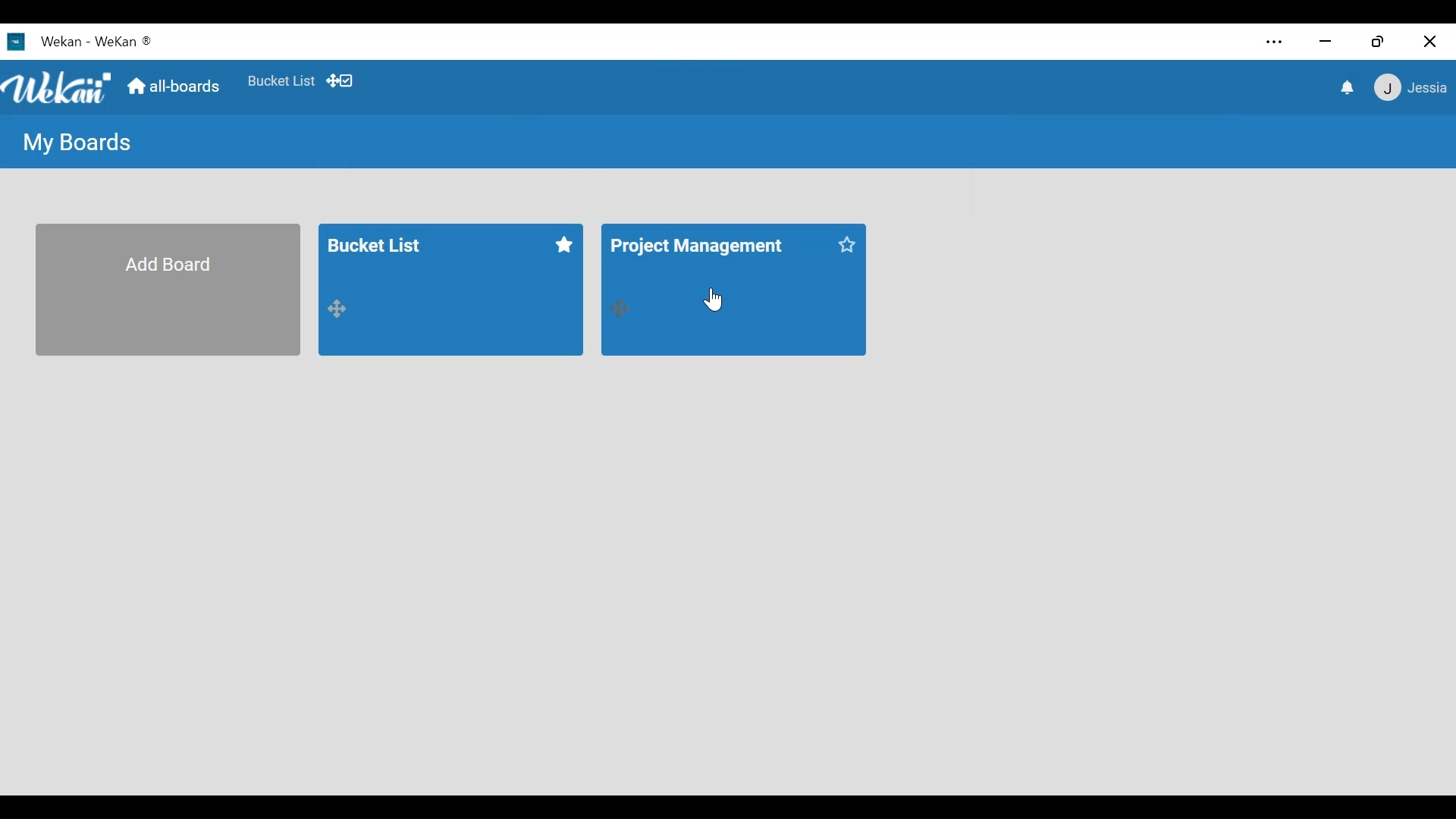 The width and height of the screenshot is (1456, 819). Describe the element at coordinates (1427, 42) in the screenshot. I see `Close` at that location.